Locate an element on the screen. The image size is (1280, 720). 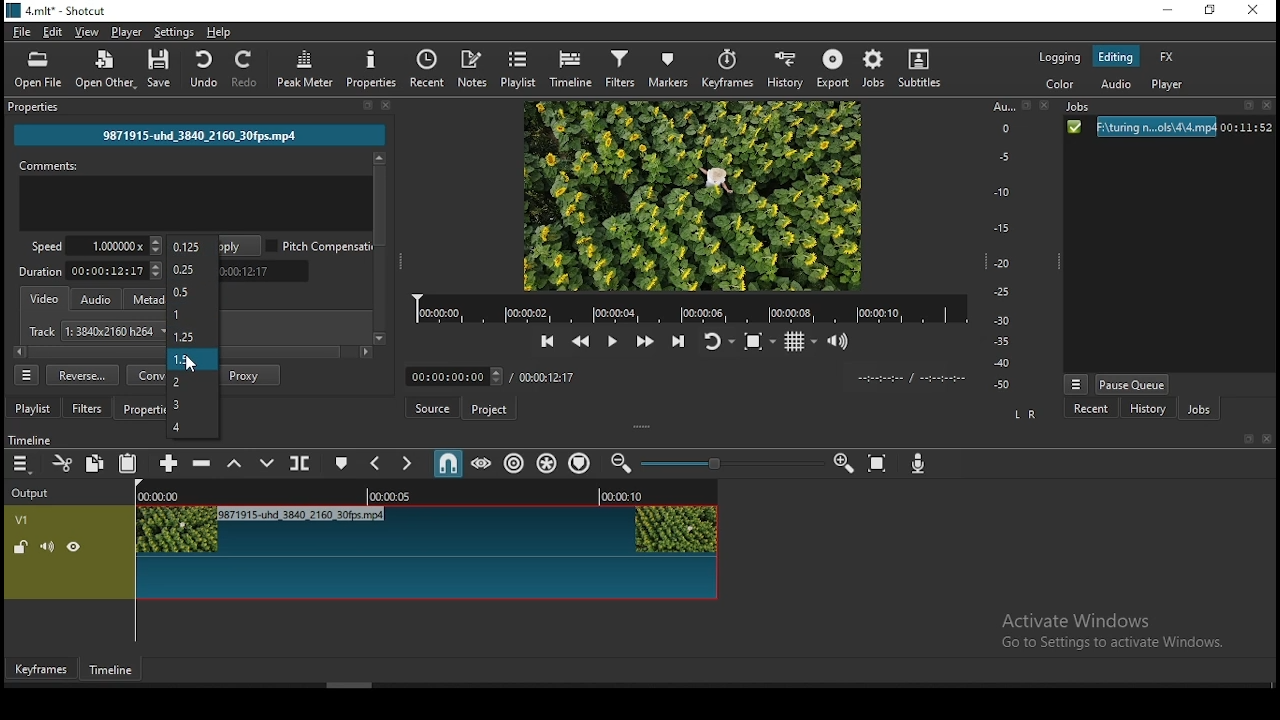
split at playhead is located at coordinates (297, 464).